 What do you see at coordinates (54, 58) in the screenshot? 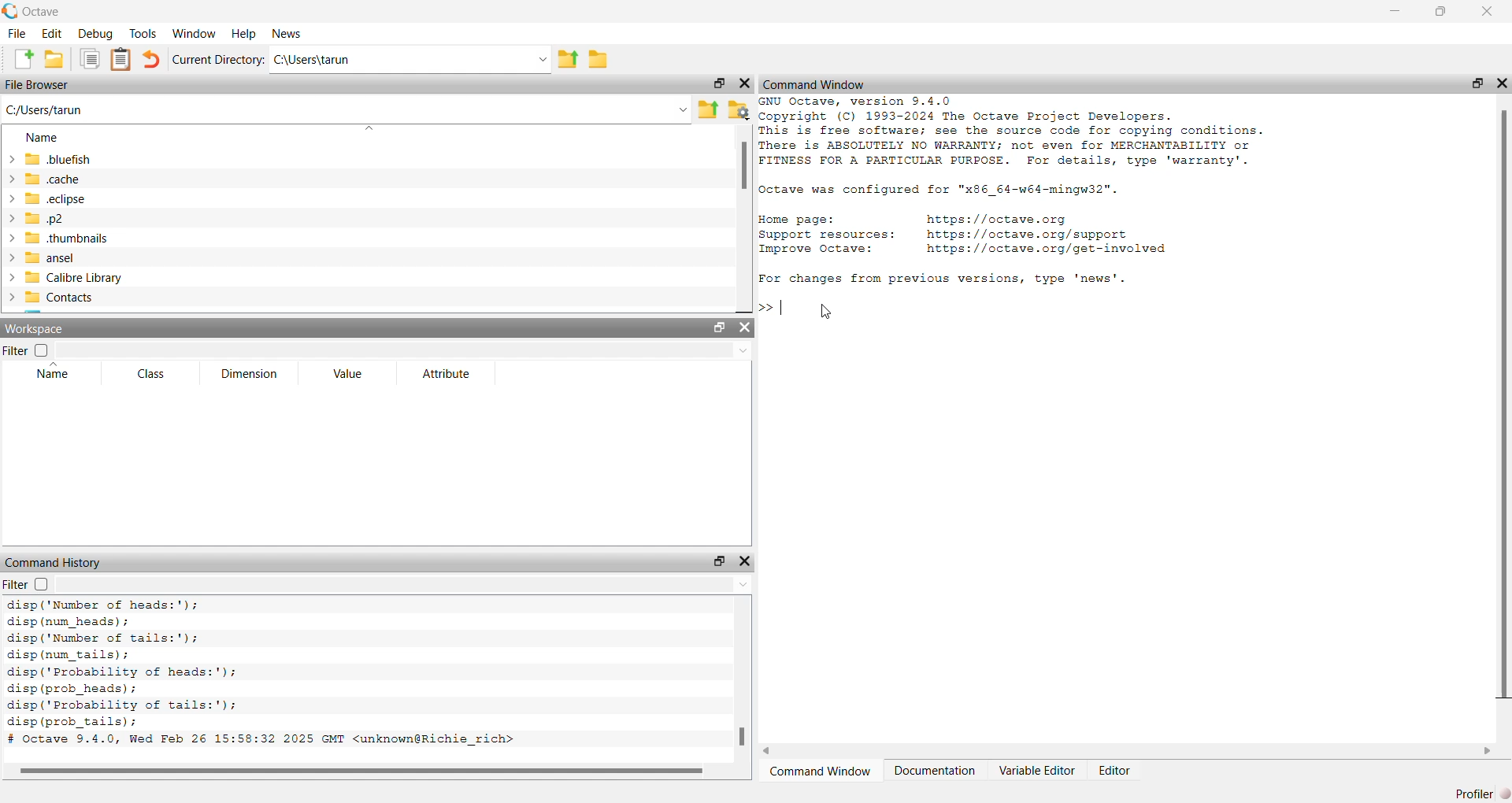
I see `Open an existing file in editor` at bounding box center [54, 58].